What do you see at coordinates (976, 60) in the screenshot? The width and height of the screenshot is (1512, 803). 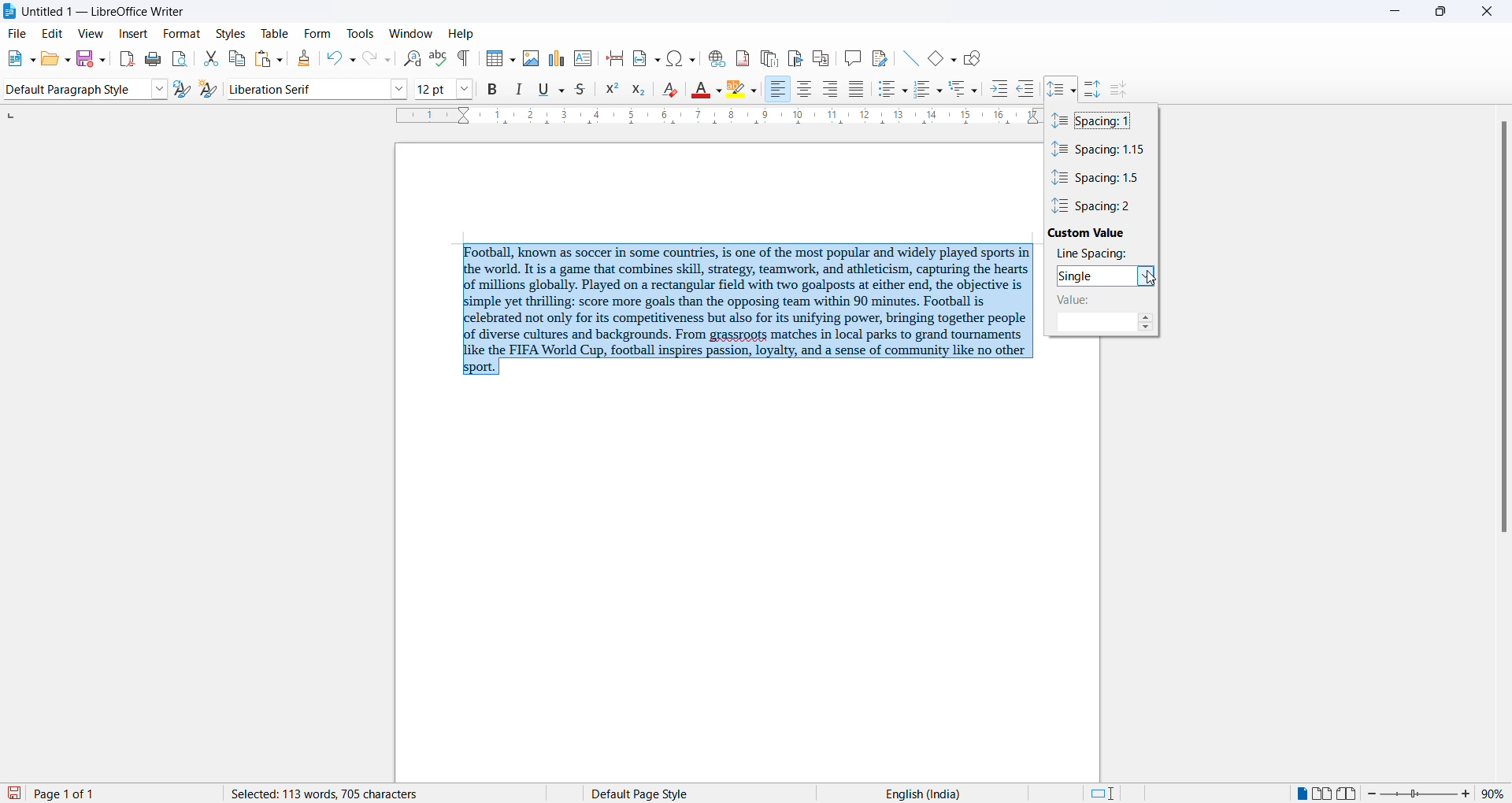 I see `show draw functions` at bounding box center [976, 60].